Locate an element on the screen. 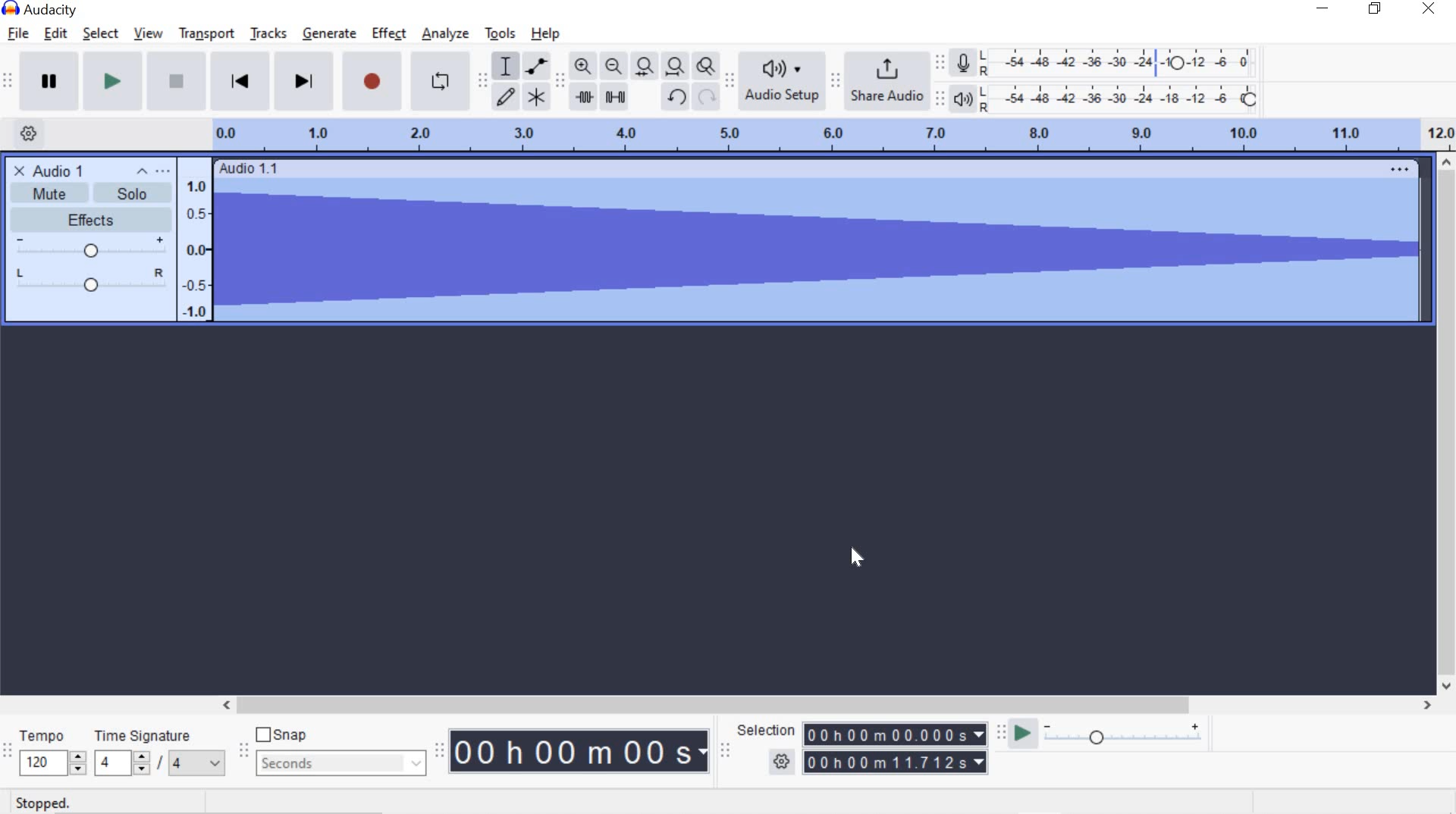 The image size is (1456, 814). pan is located at coordinates (90, 278).